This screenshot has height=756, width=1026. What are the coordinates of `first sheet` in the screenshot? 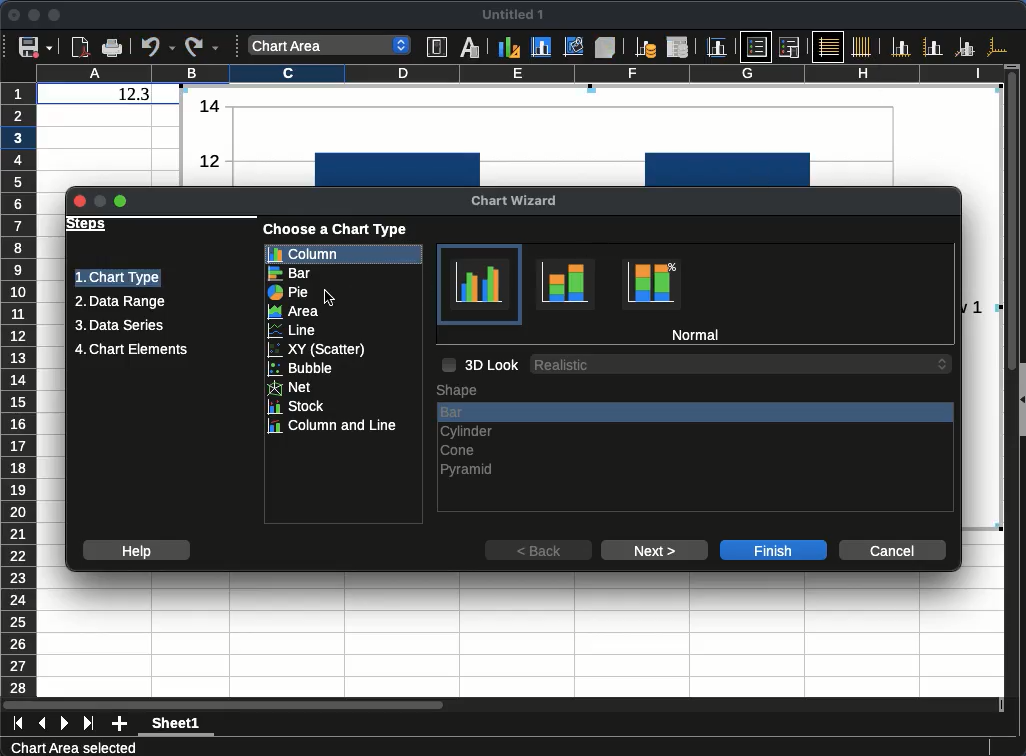 It's located at (18, 724).